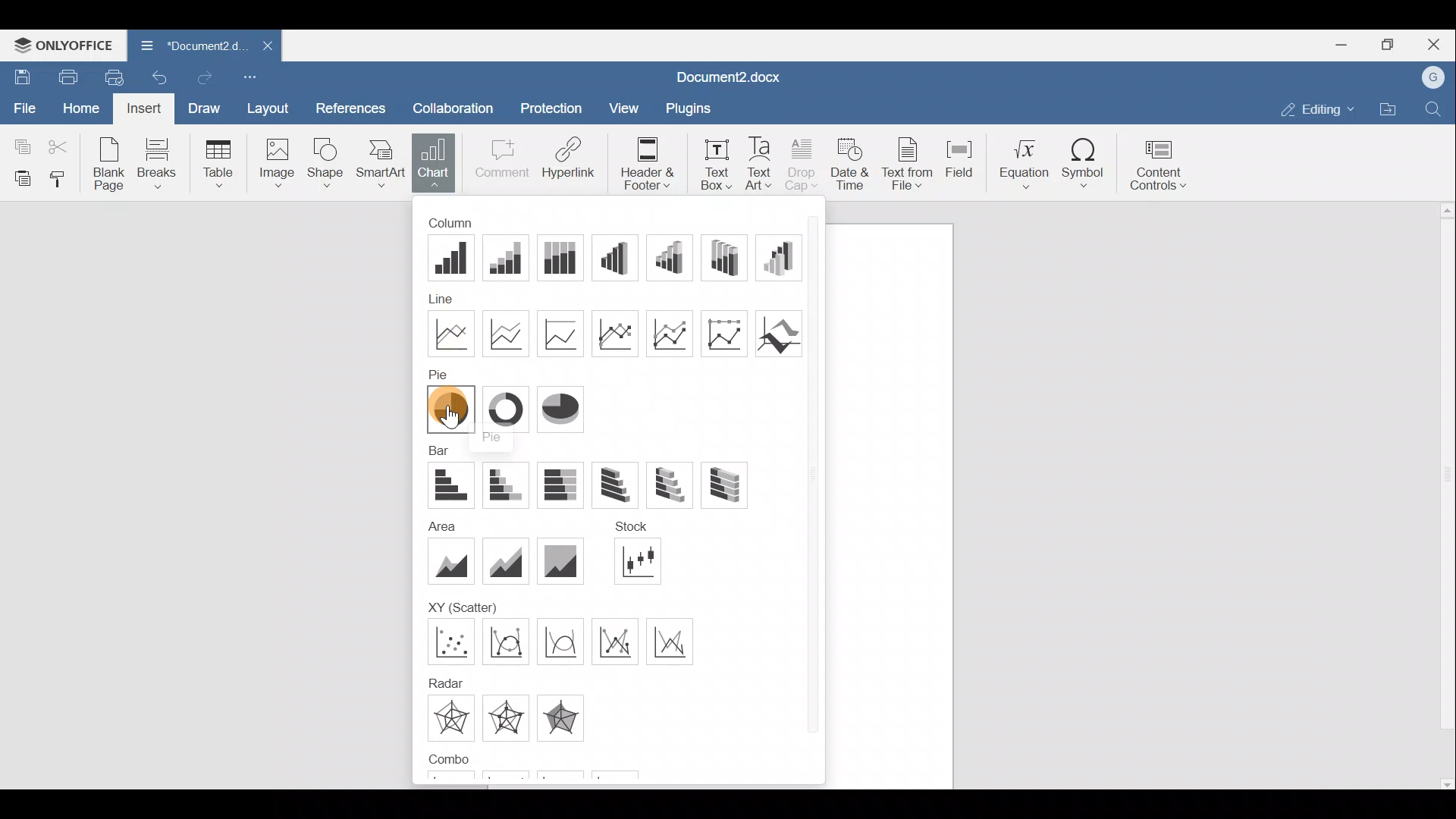 The image size is (1456, 819). What do you see at coordinates (379, 162) in the screenshot?
I see `SmartArt` at bounding box center [379, 162].